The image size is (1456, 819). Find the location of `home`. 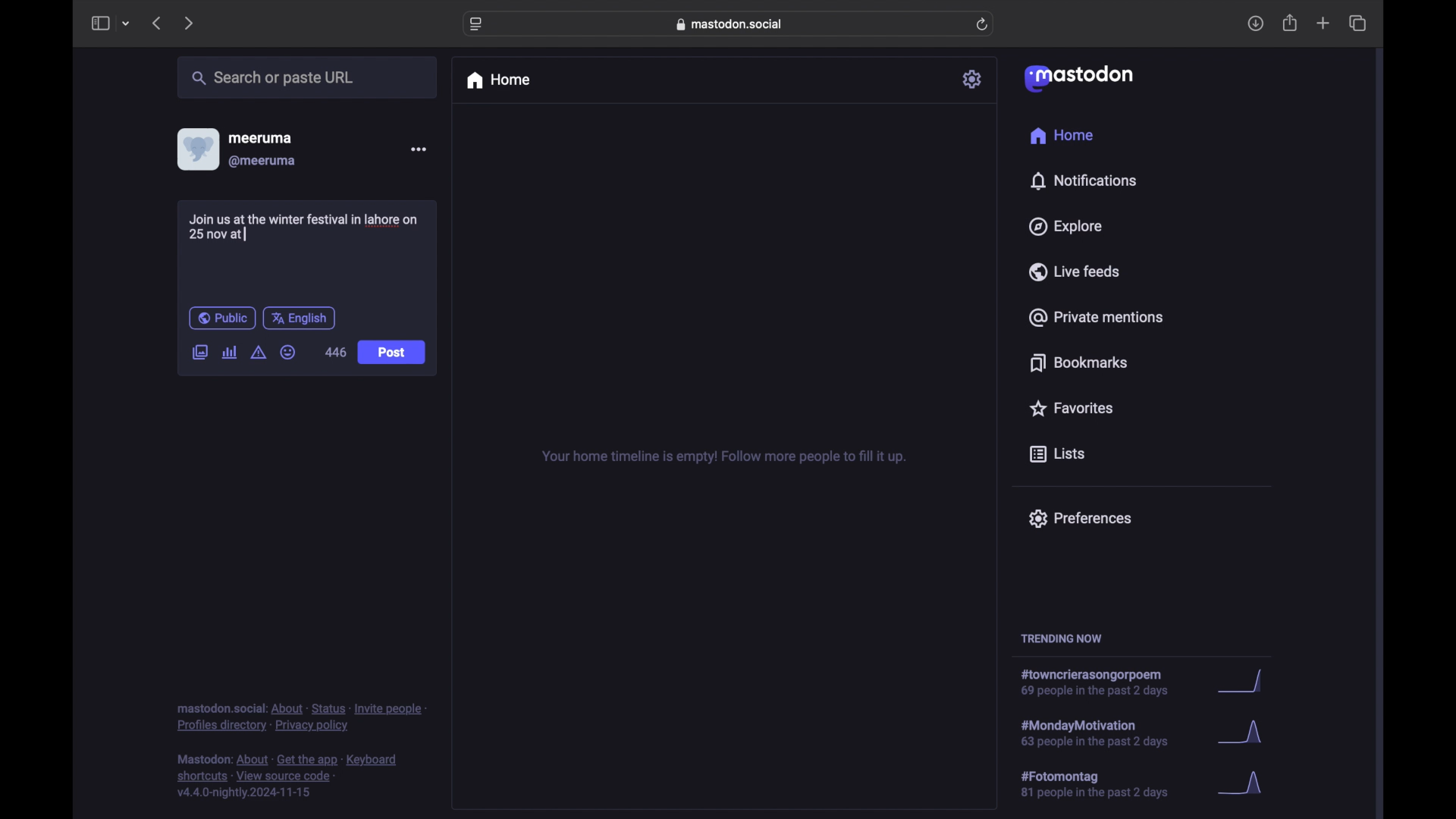

home is located at coordinates (497, 80).